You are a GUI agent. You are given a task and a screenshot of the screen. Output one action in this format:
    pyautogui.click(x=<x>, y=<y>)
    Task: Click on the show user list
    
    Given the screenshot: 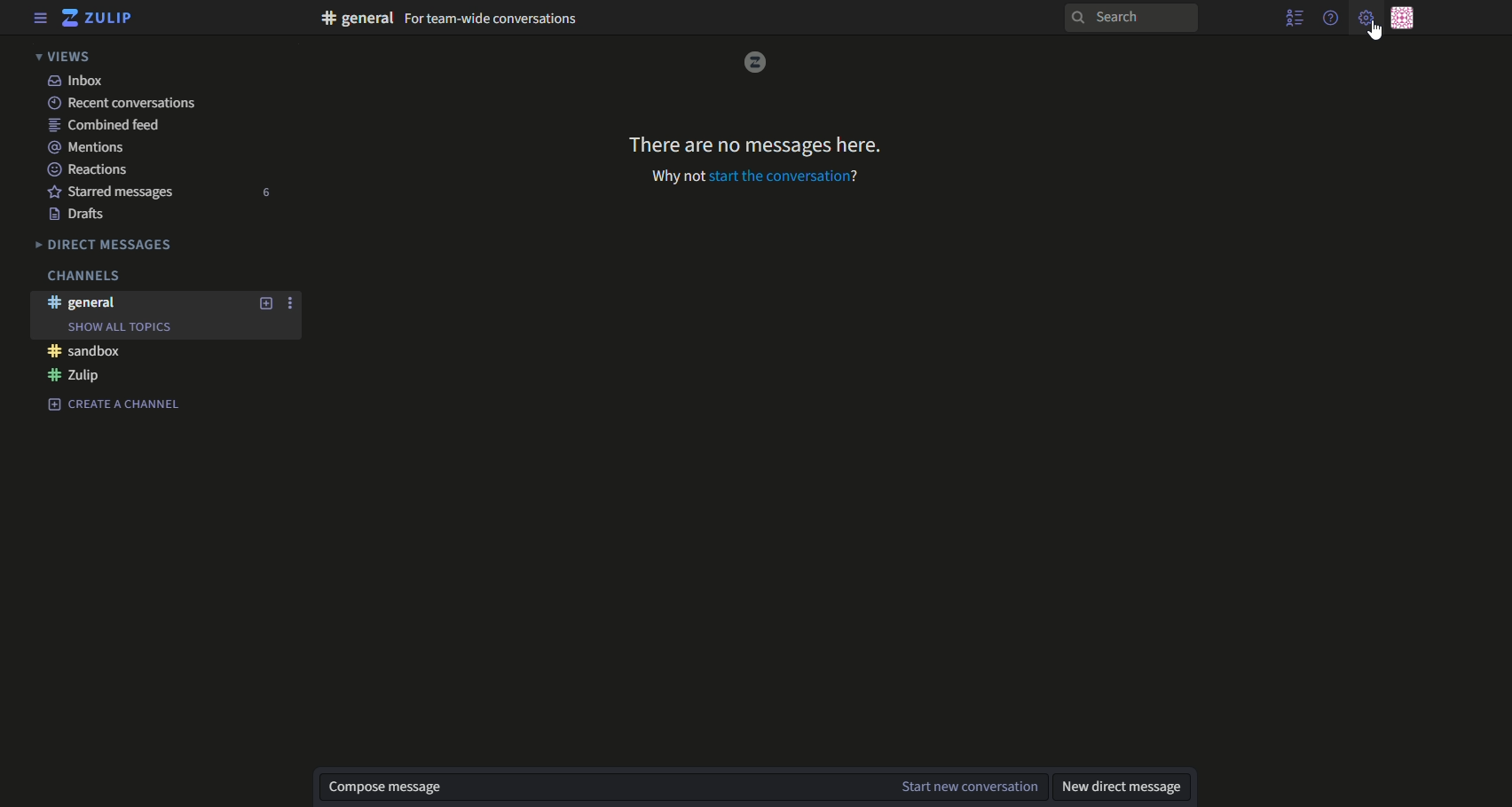 What is the action you would take?
    pyautogui.click(x=1294, y=18)
    